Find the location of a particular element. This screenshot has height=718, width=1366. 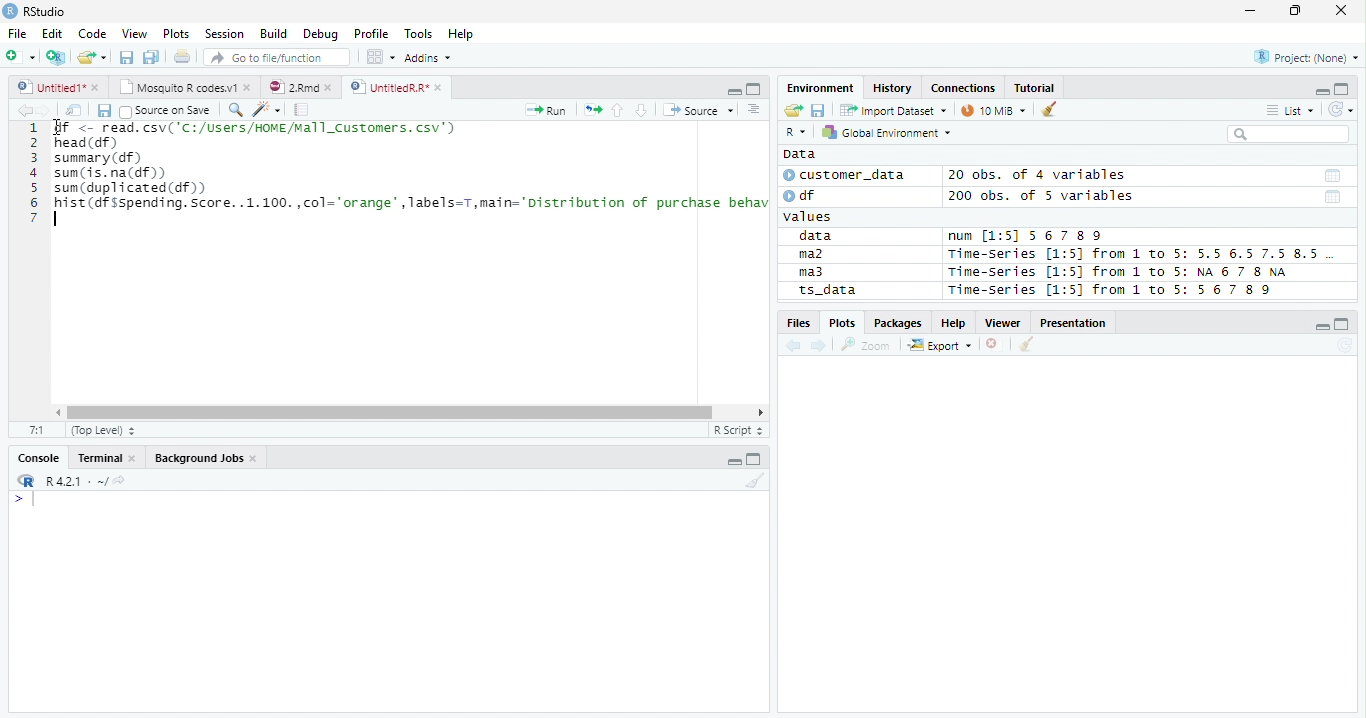

Save all open documents is located at coordinates (151, 58).